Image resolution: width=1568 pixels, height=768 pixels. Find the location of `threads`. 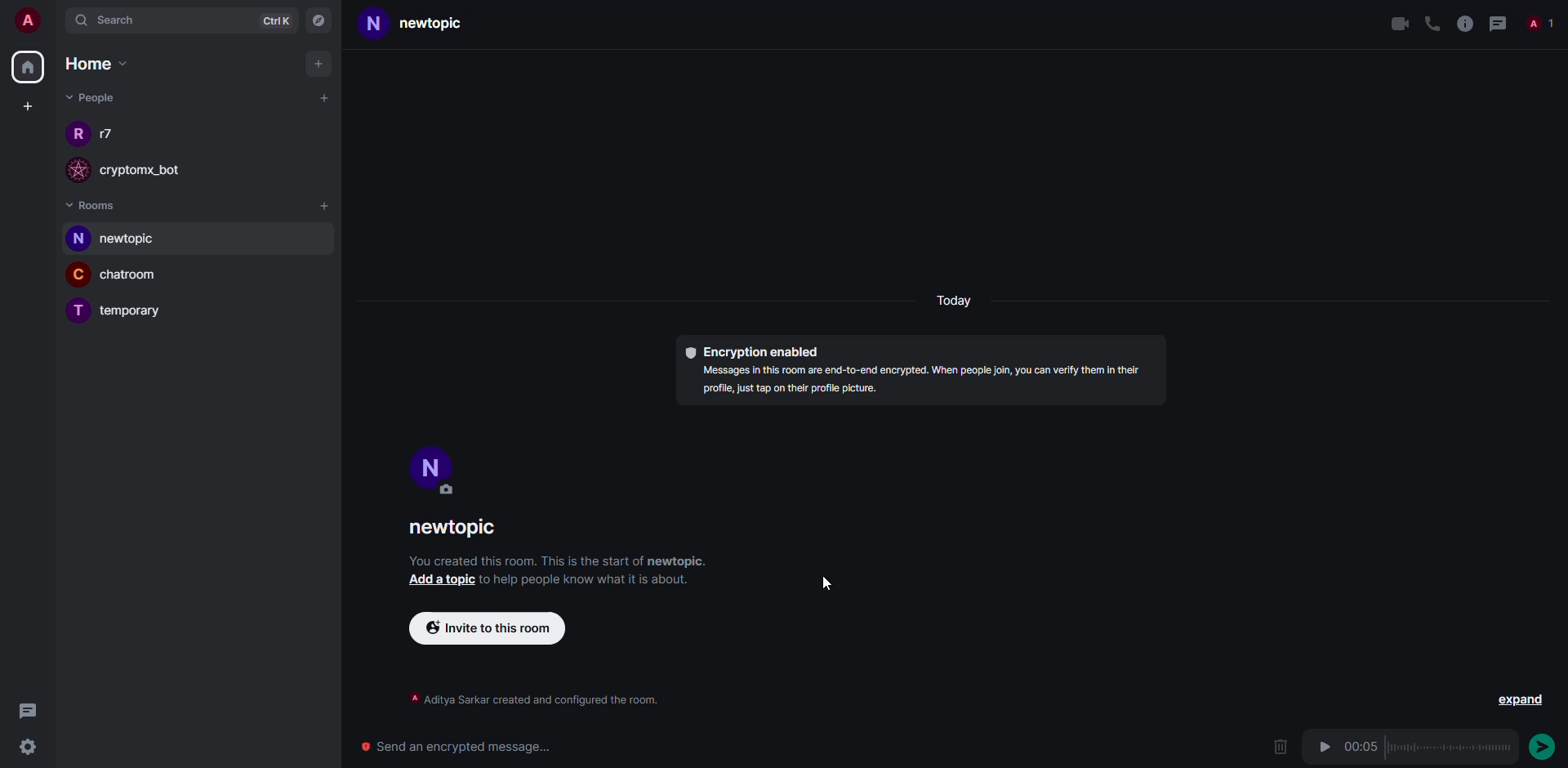

threads is located at coordinates (1499, 24).